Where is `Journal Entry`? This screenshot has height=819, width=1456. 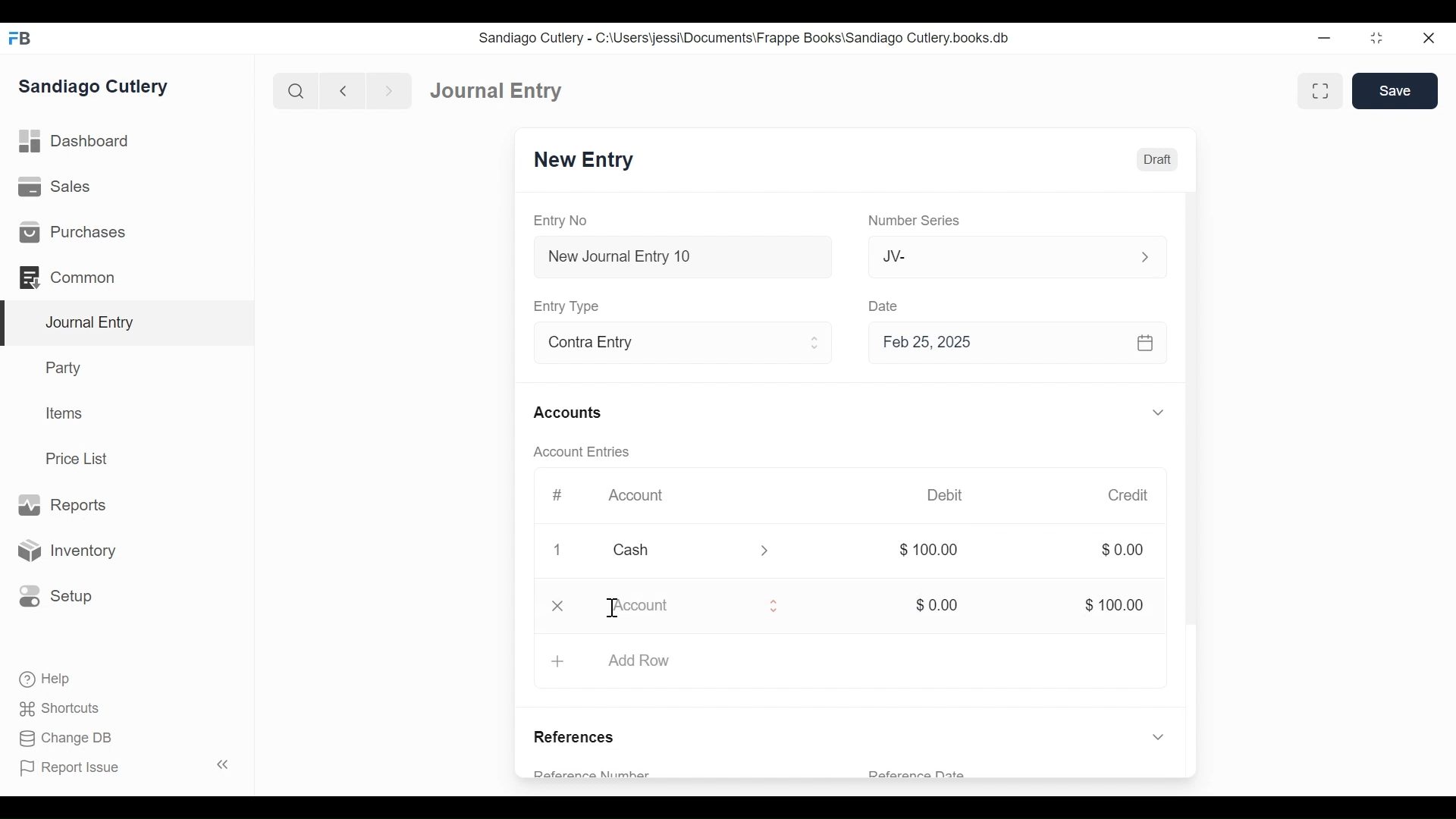
Journal Entry is located at coordinates (128, 323).